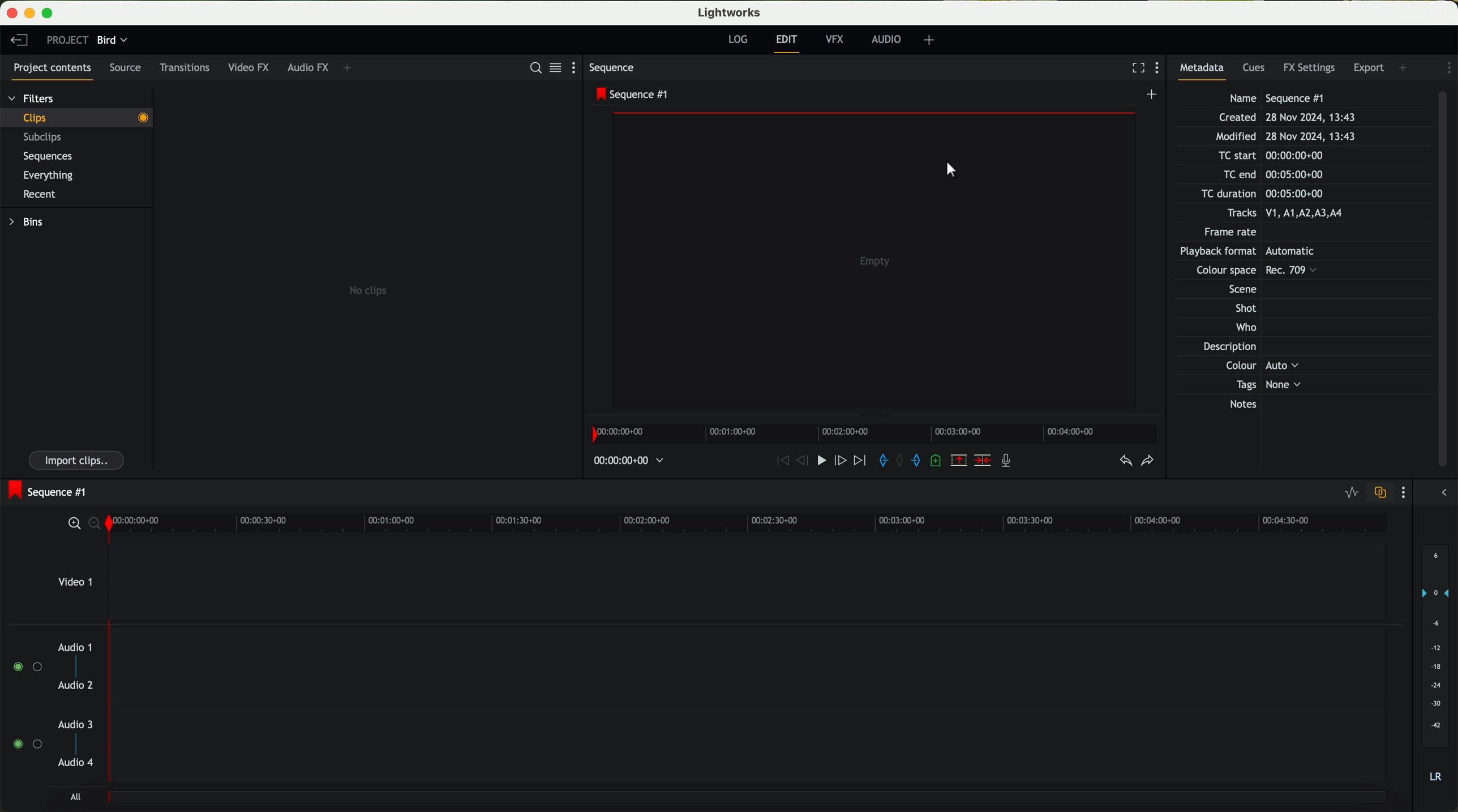 The width and height of the screenshot is (1458, 812). Describe the element at coordinates (51, 176) in the screenshot. I see `everything` at that location.